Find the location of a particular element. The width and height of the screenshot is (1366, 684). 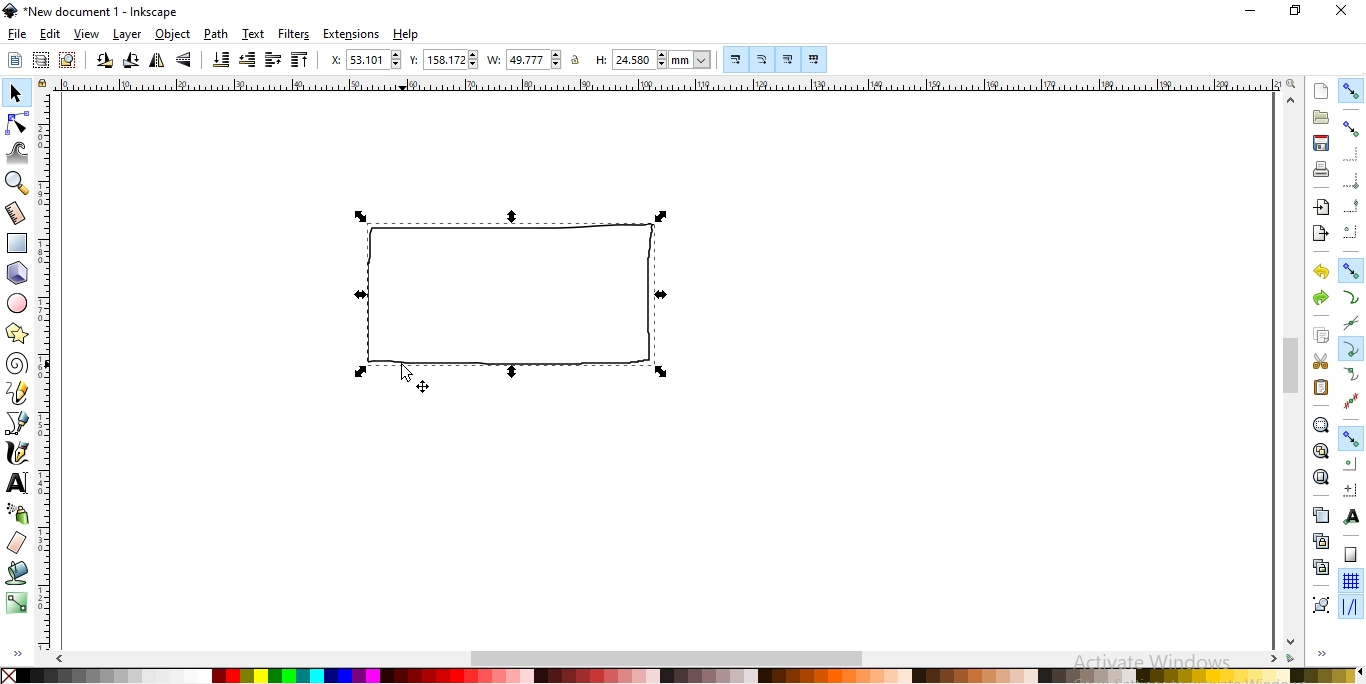

cut is located at coordinates (1320, 363).